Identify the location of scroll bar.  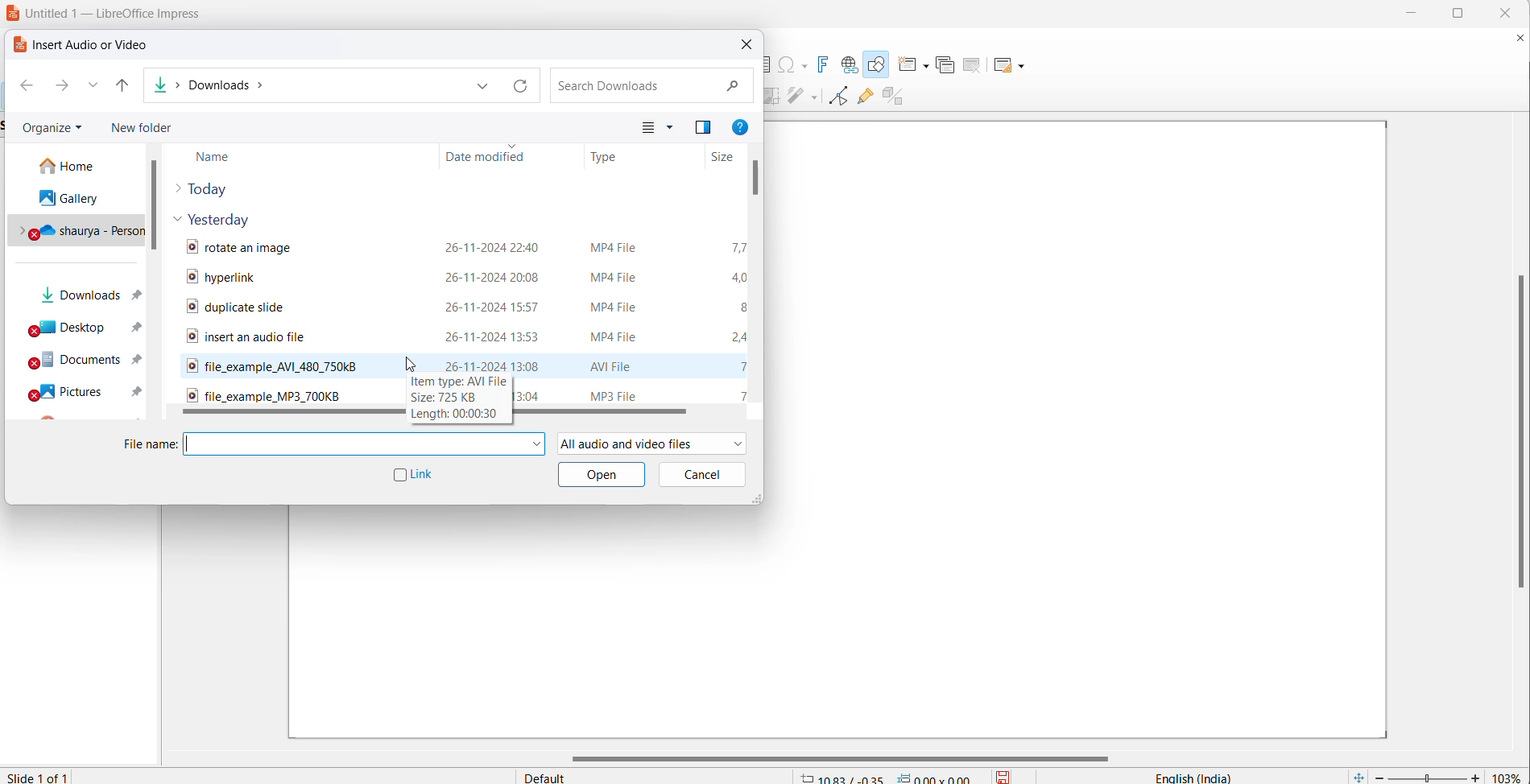
(156, 204).